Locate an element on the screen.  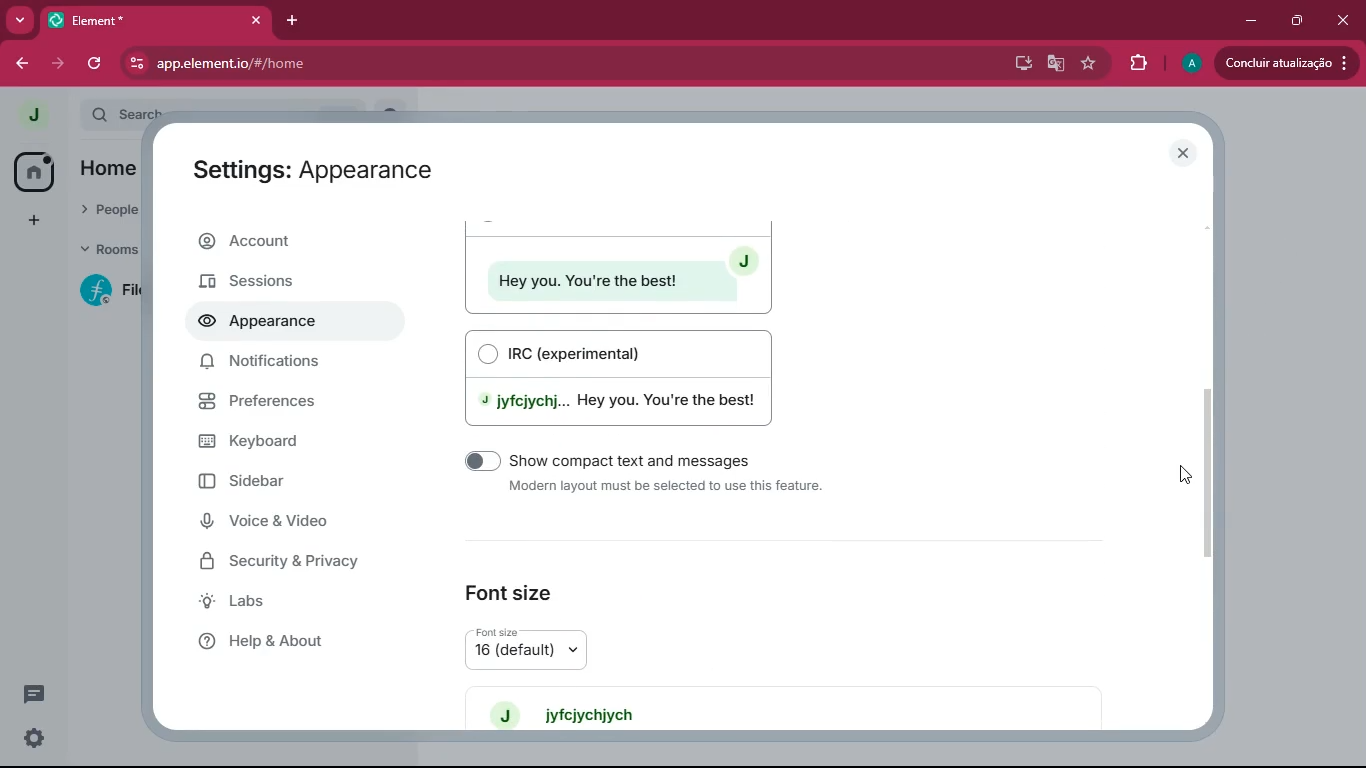
extensions is located at coordinates (1138, 61).